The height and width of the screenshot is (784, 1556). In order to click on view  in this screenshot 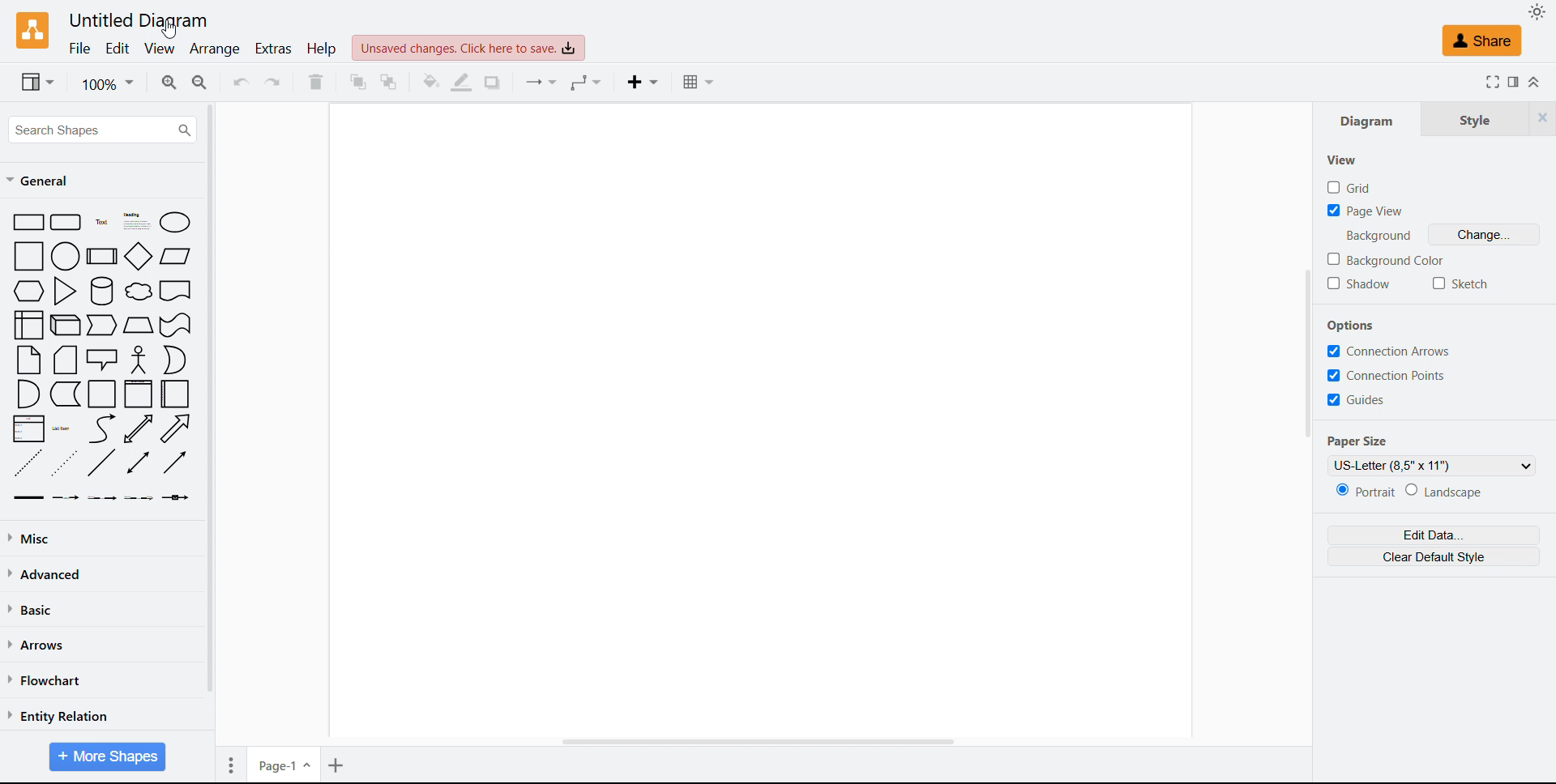, I will do `click(1342, 160)`.